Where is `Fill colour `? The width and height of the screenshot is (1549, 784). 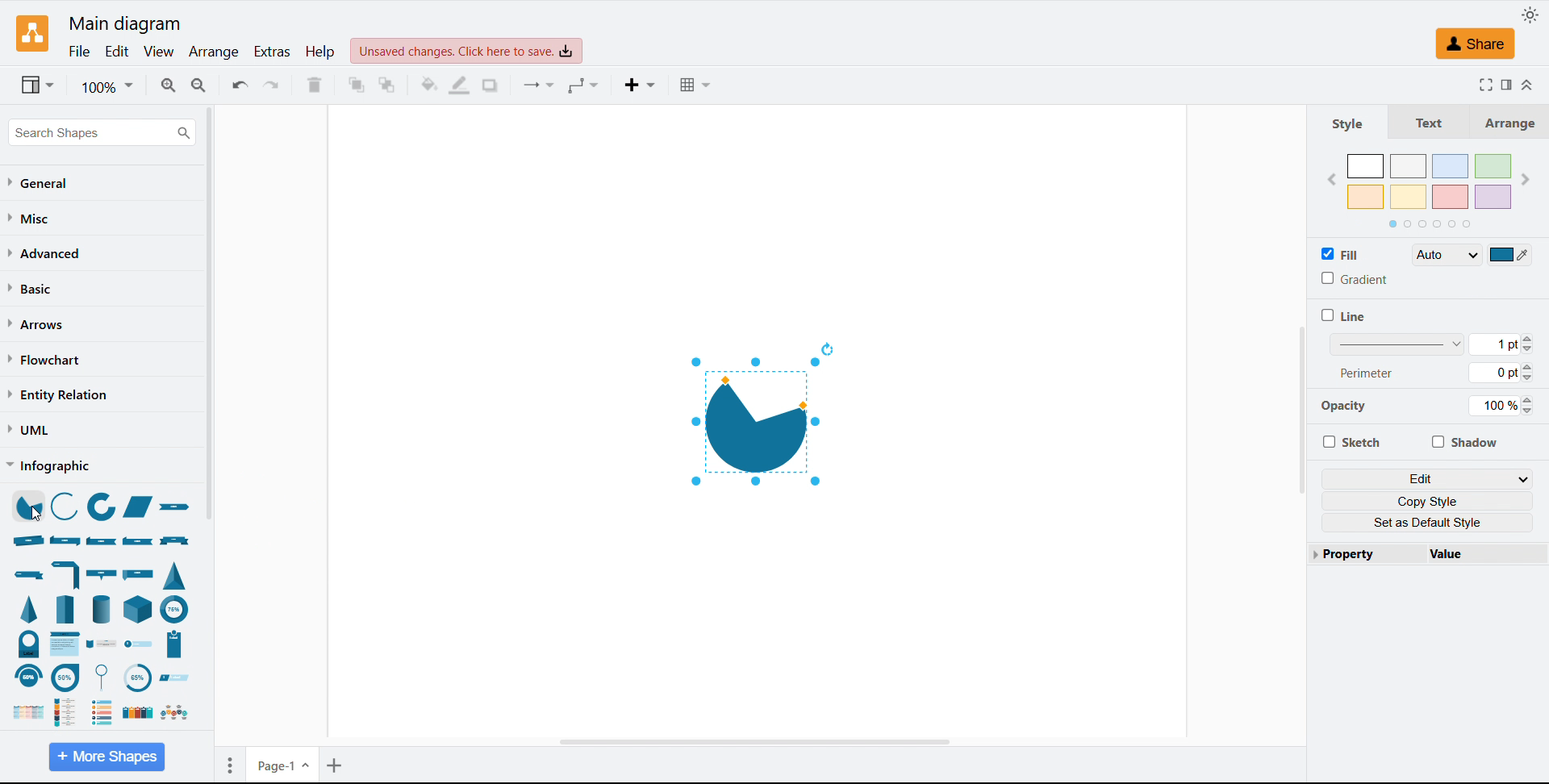
Fill colour  is located at coordinates (428, 84).